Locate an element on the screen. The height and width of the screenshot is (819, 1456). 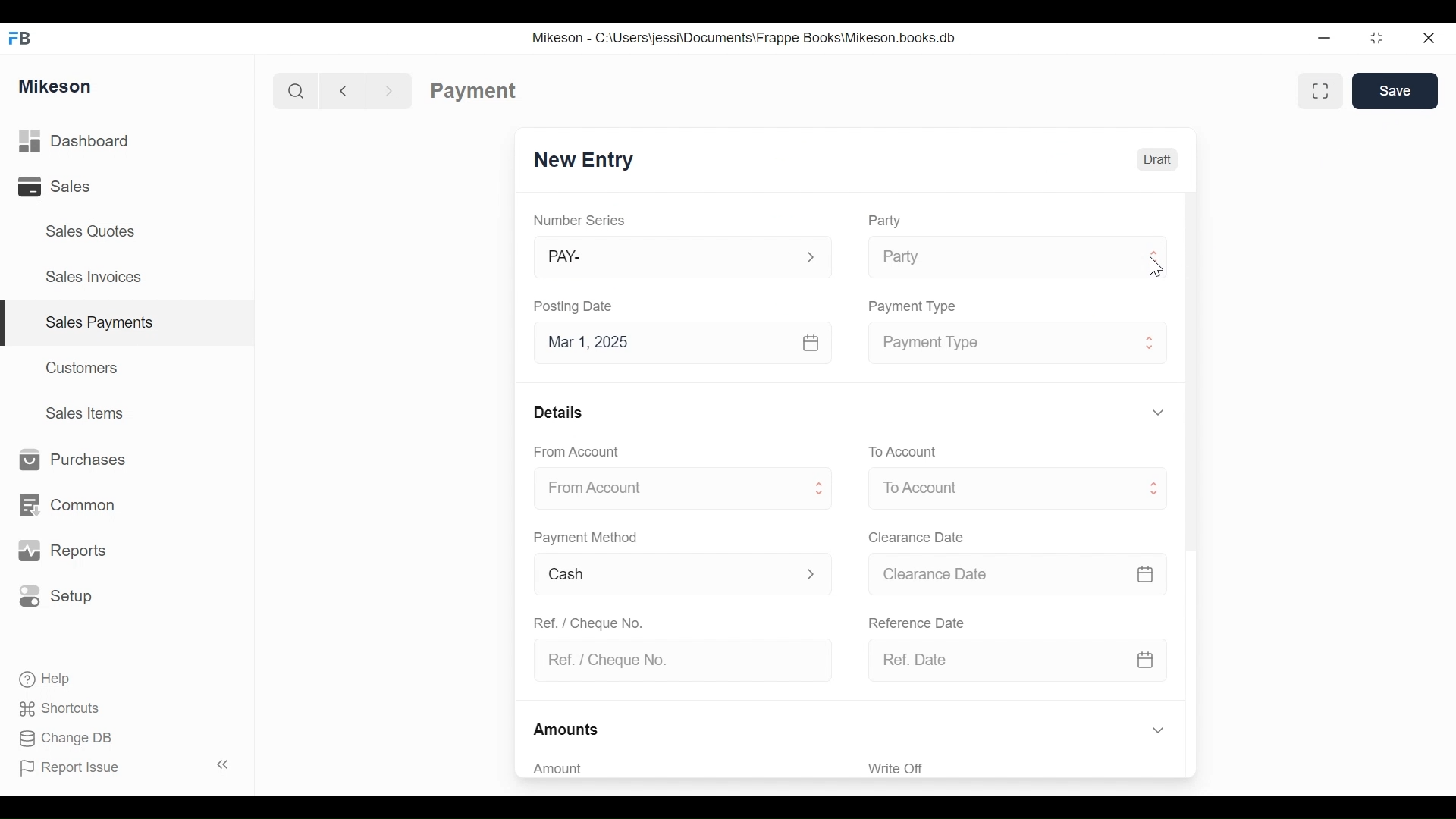
Clearance date is located at coordinates (1023, 573).